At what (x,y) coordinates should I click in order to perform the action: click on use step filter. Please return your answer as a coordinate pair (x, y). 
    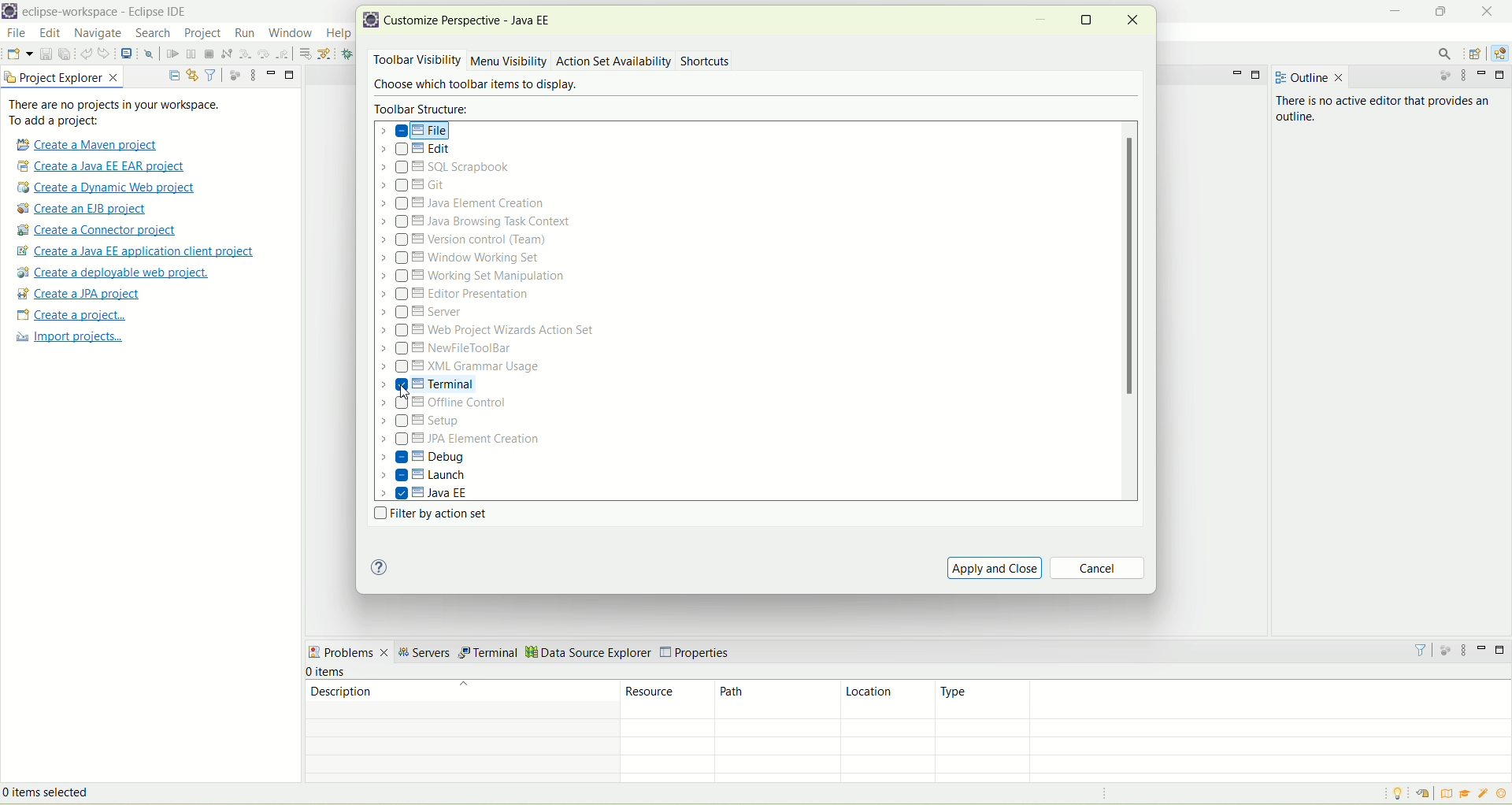
    Looking at the image, I should click on (328, 54).